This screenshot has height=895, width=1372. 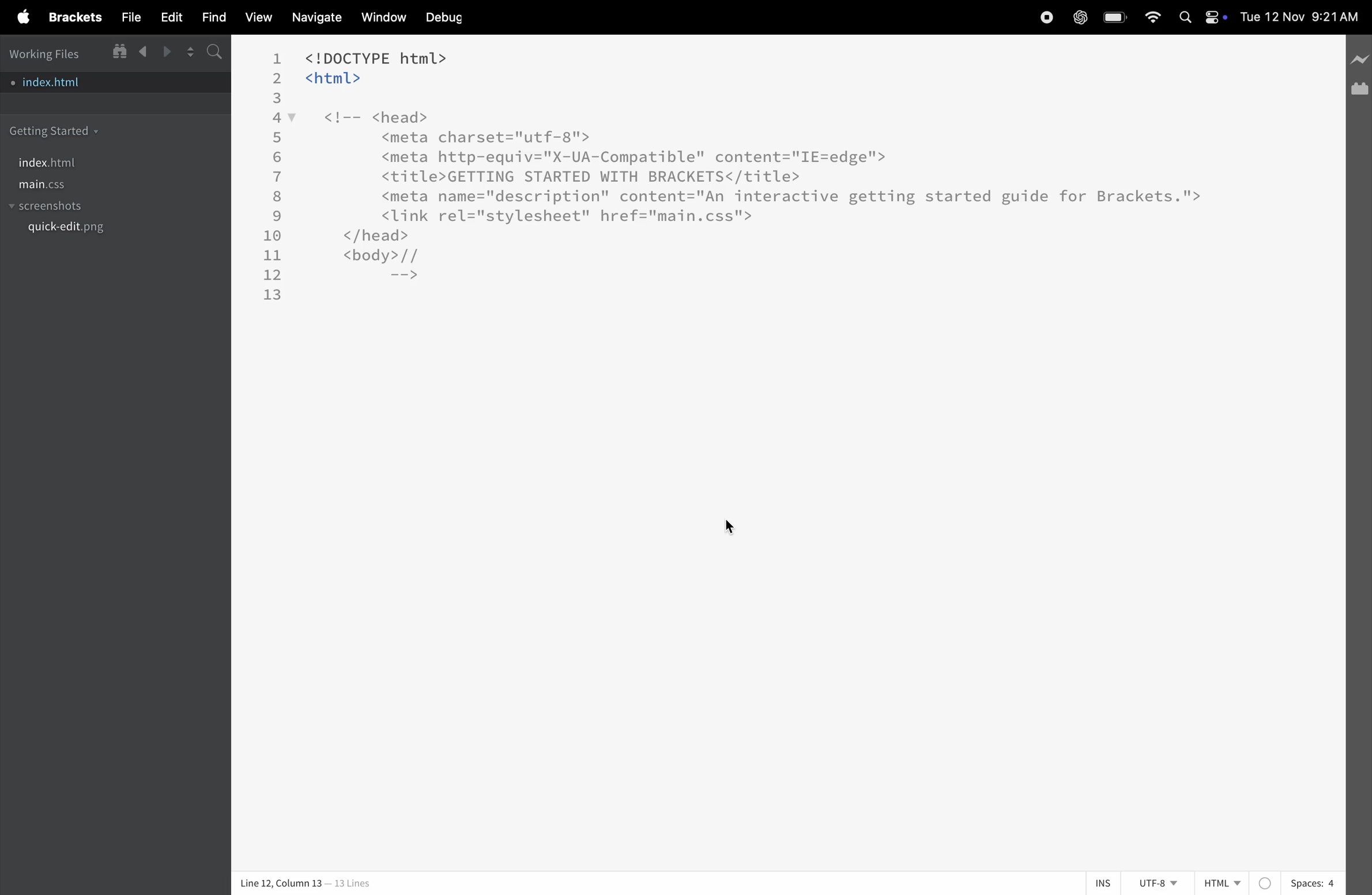 I want to click on ins, so click(x=1095, y=883).